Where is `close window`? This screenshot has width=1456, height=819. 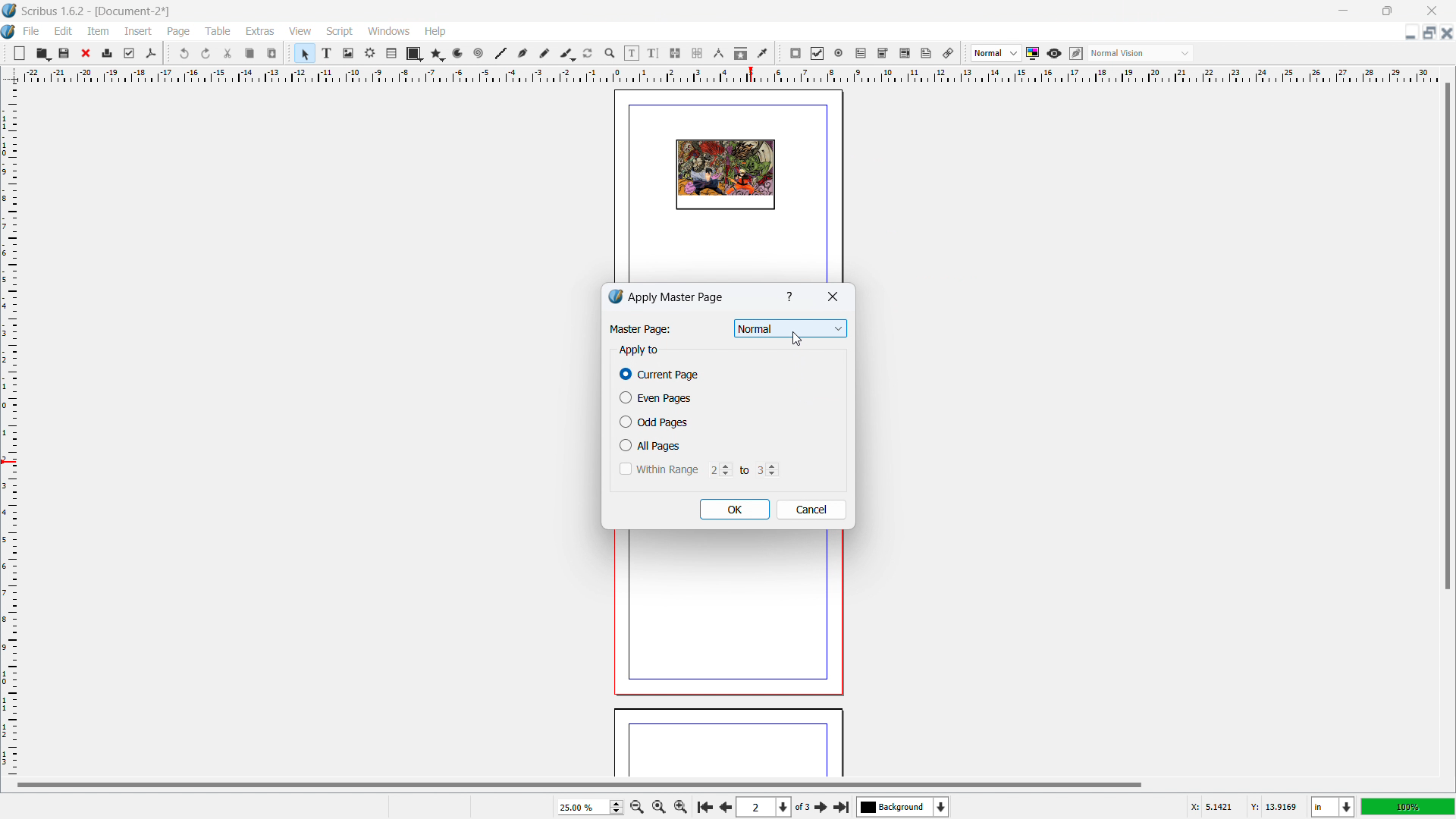
close window is located at coordinates (1430, 10).